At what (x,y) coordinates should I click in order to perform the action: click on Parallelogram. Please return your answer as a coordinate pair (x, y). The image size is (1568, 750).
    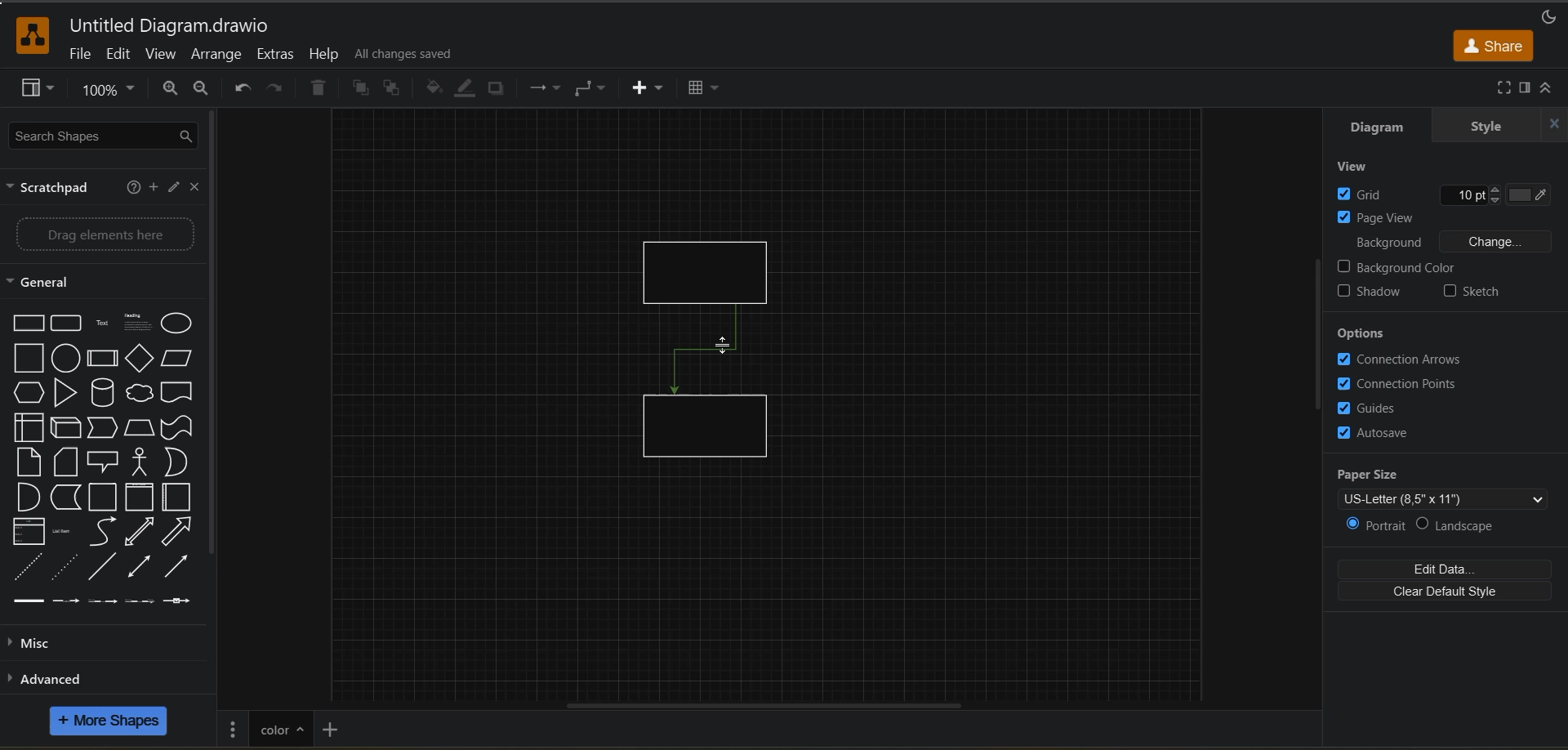
    Looking at the image, I should click on (180, 359).